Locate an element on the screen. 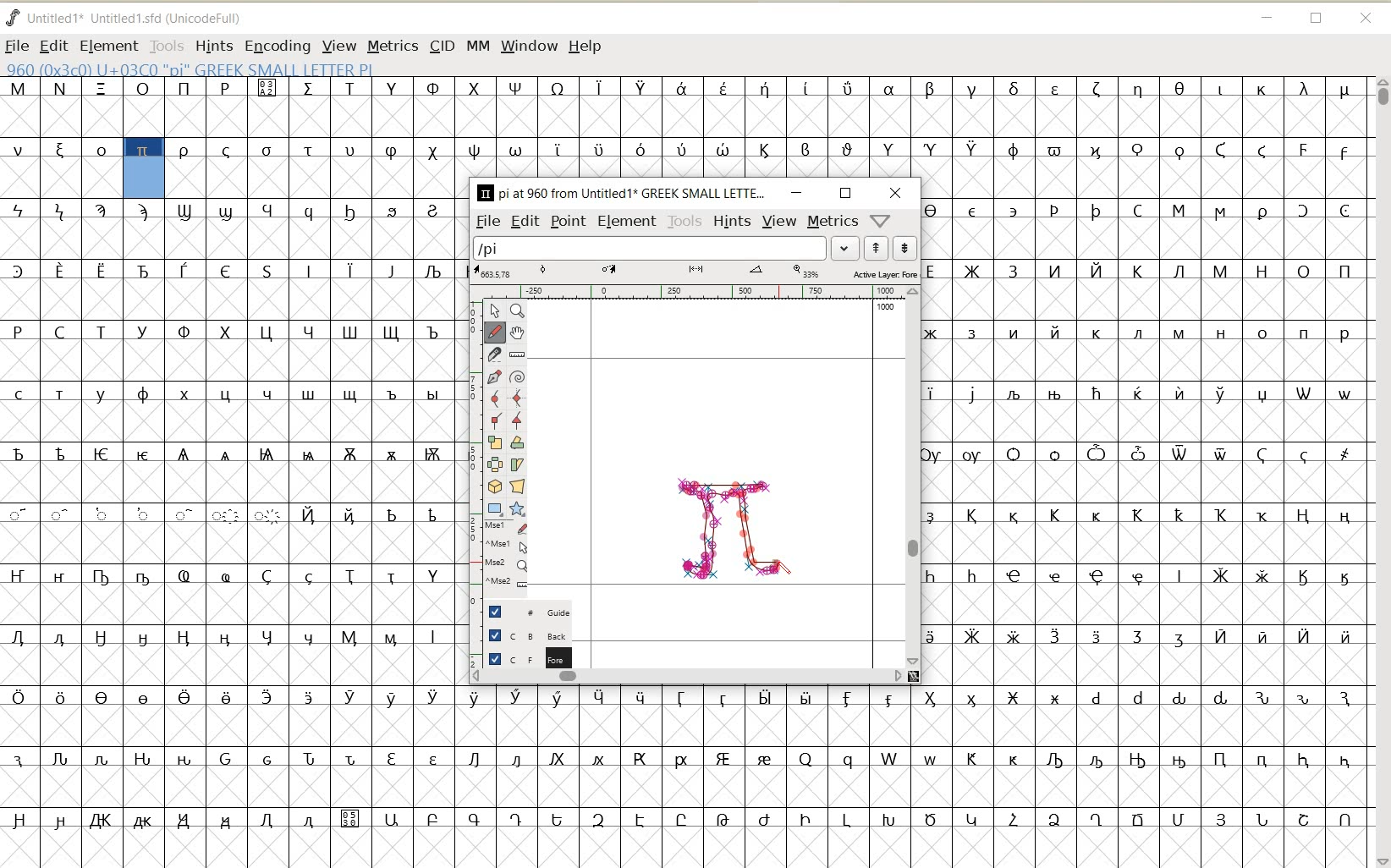 The width and height of the screenshot is (1391, 868). Add a corner point is located at coordinates (519, 421).